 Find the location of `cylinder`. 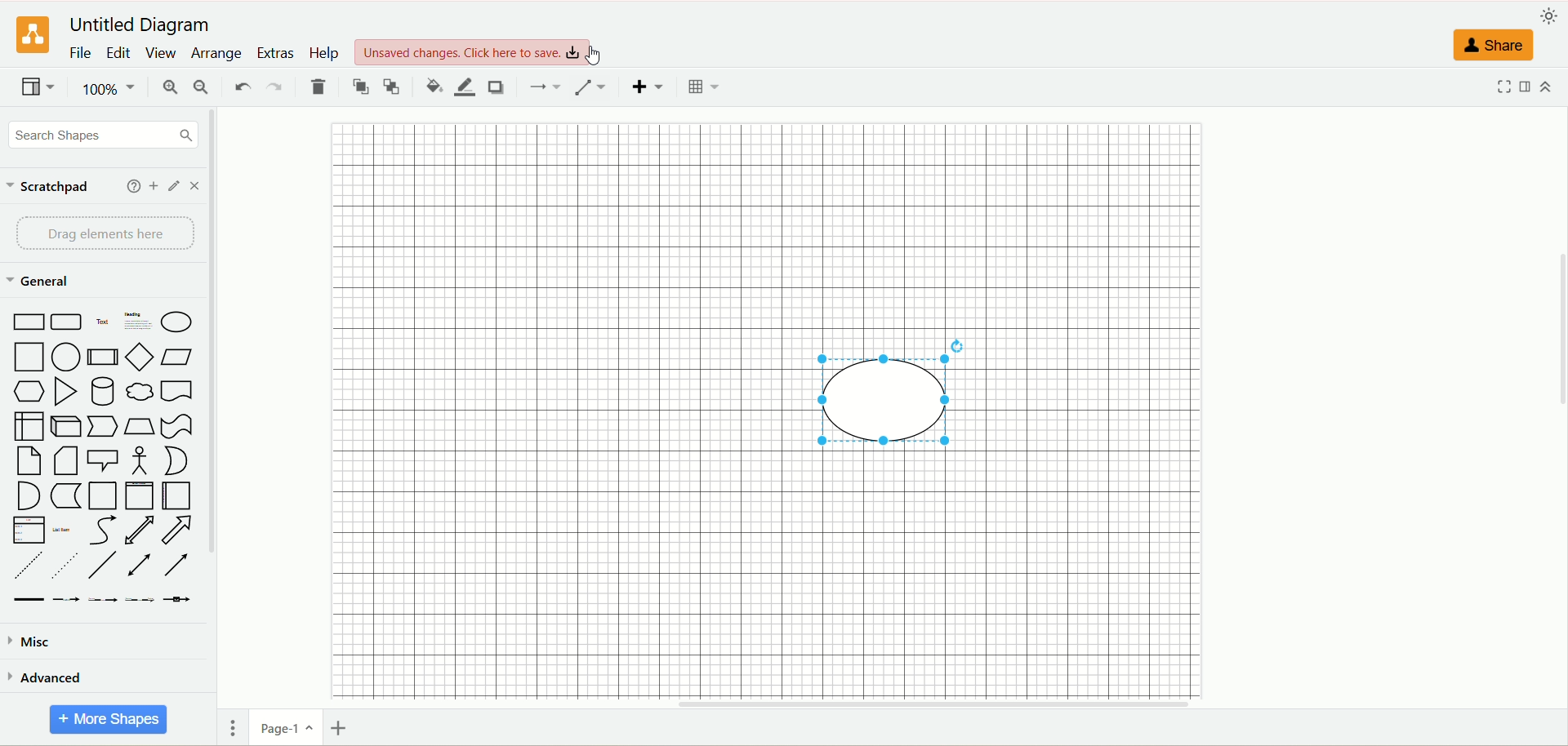

cylinder is located at coordinates (105, 392).